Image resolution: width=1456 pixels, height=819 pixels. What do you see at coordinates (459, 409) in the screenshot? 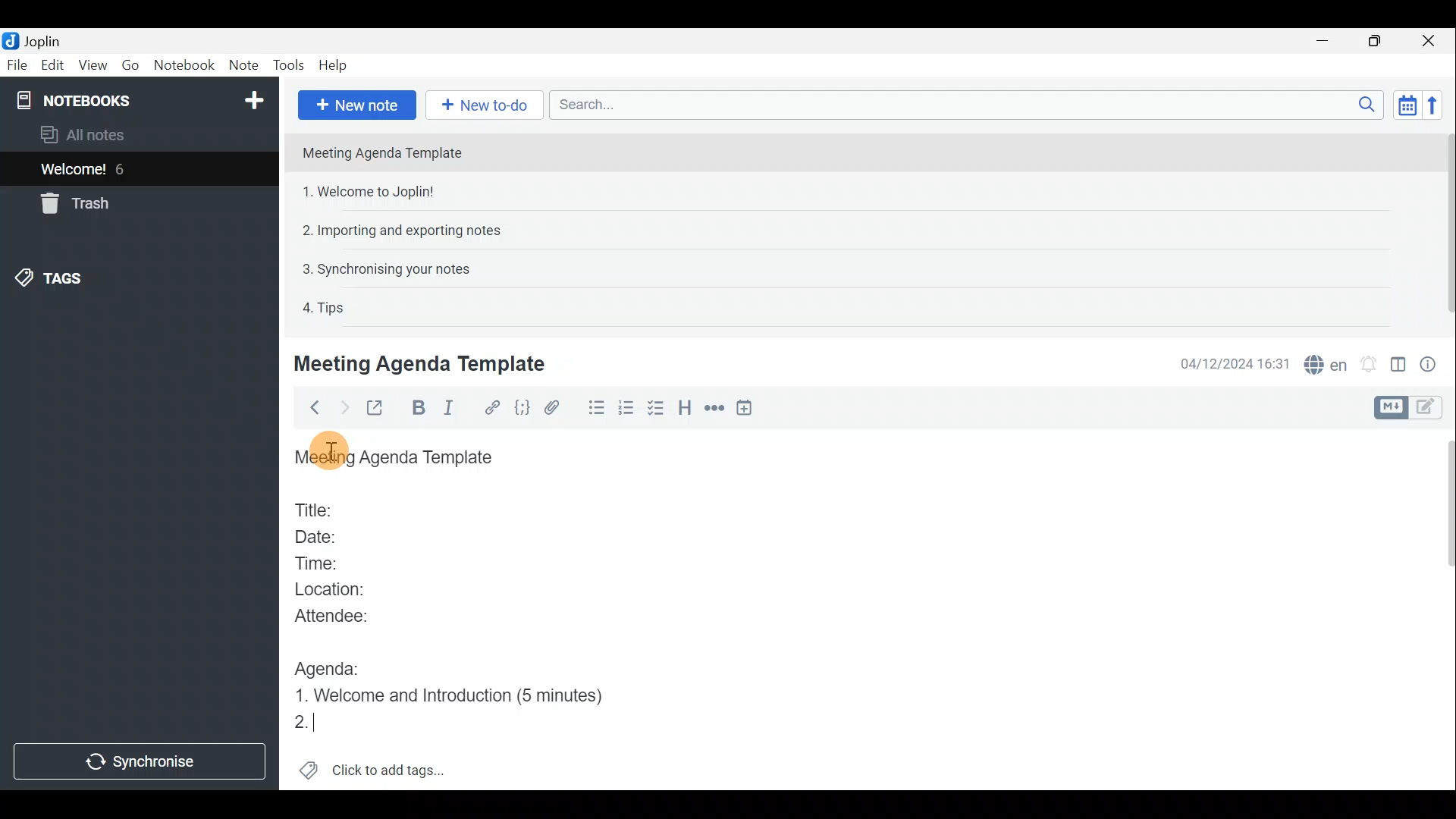
I see `Italic` at bounding box center [459, 409].